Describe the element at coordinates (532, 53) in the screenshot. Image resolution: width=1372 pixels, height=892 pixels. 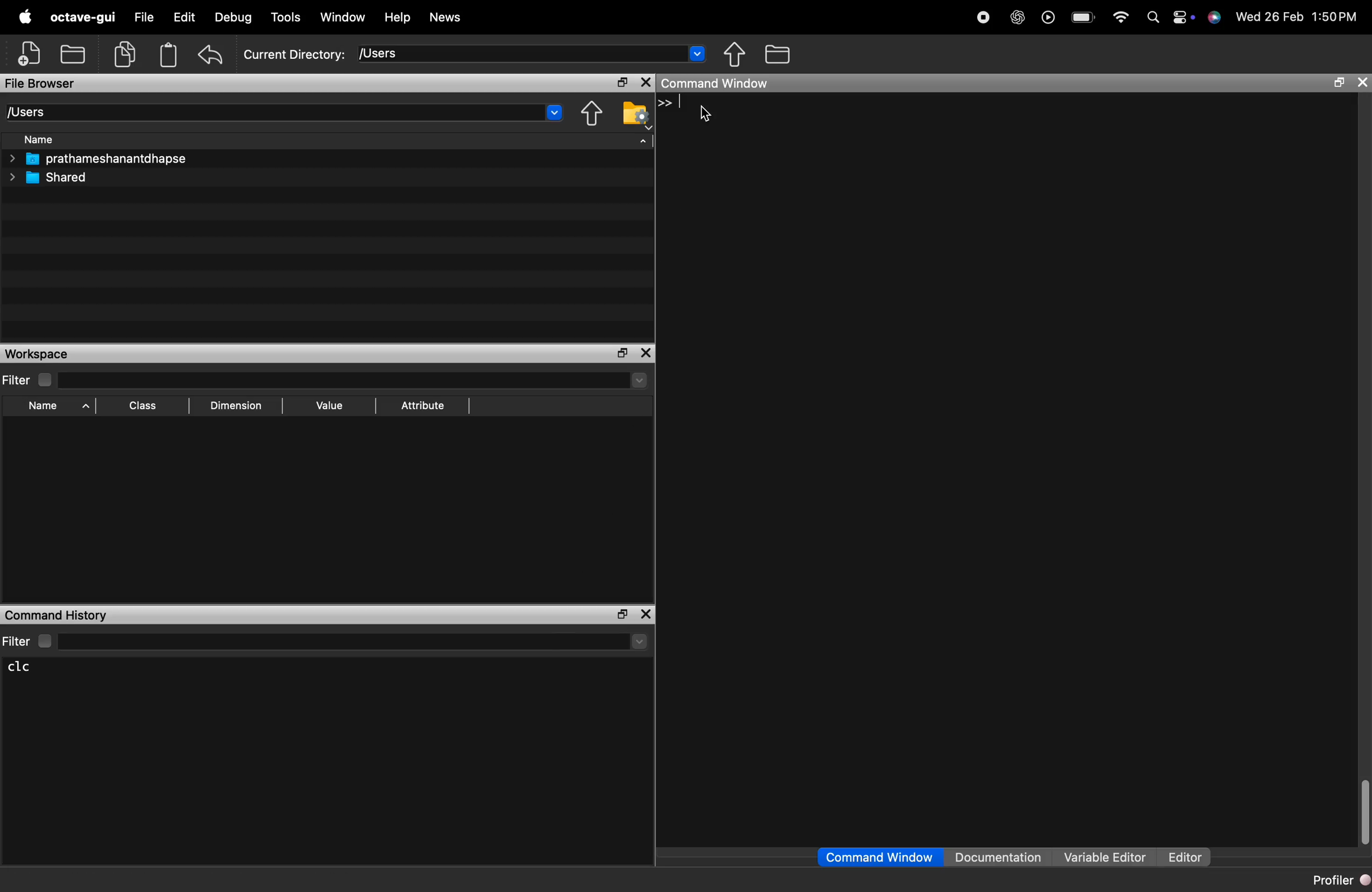
I see `/Users` at that location.